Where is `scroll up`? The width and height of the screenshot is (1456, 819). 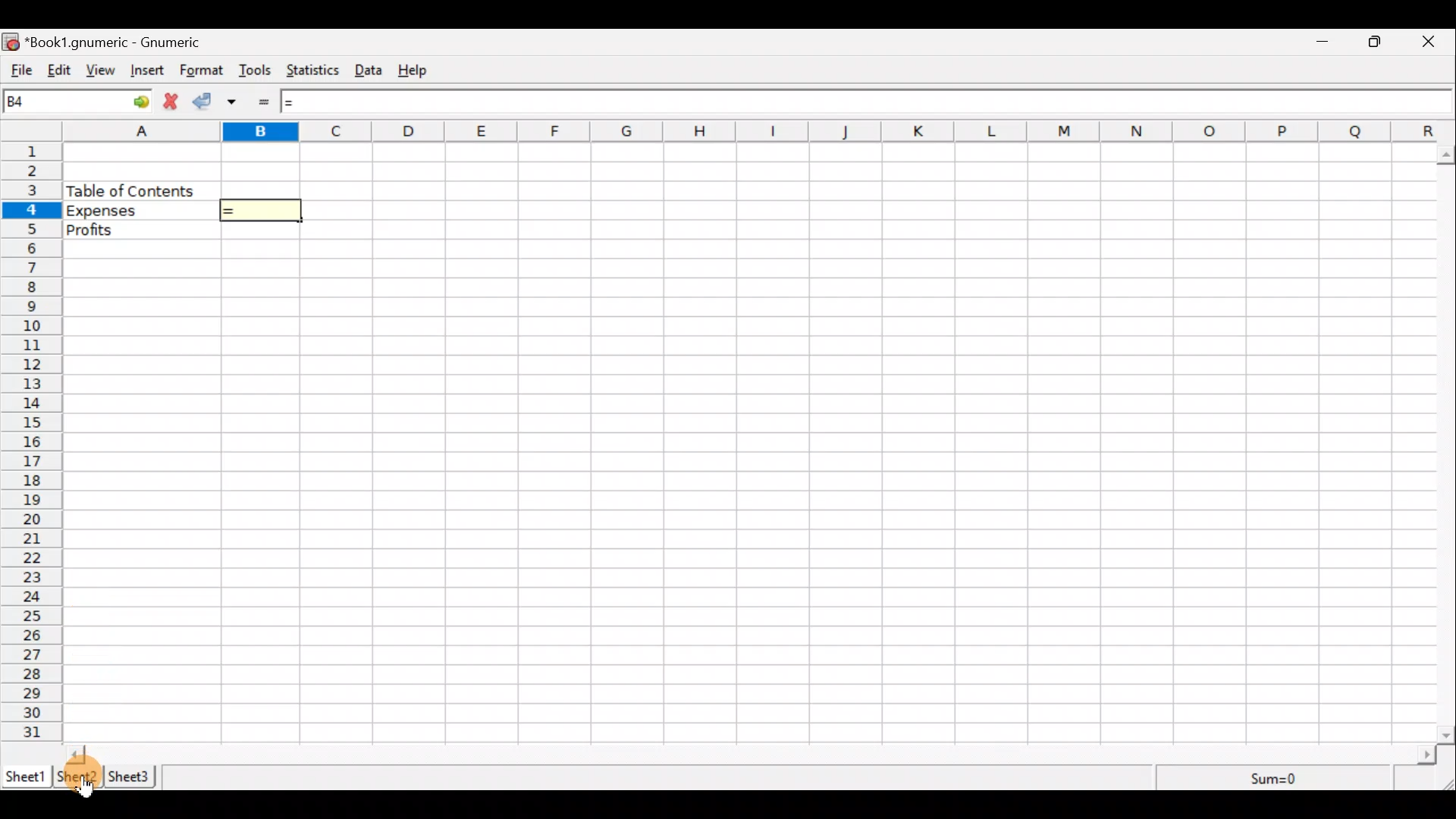 scroll up is located at coordinates (1447, 155).